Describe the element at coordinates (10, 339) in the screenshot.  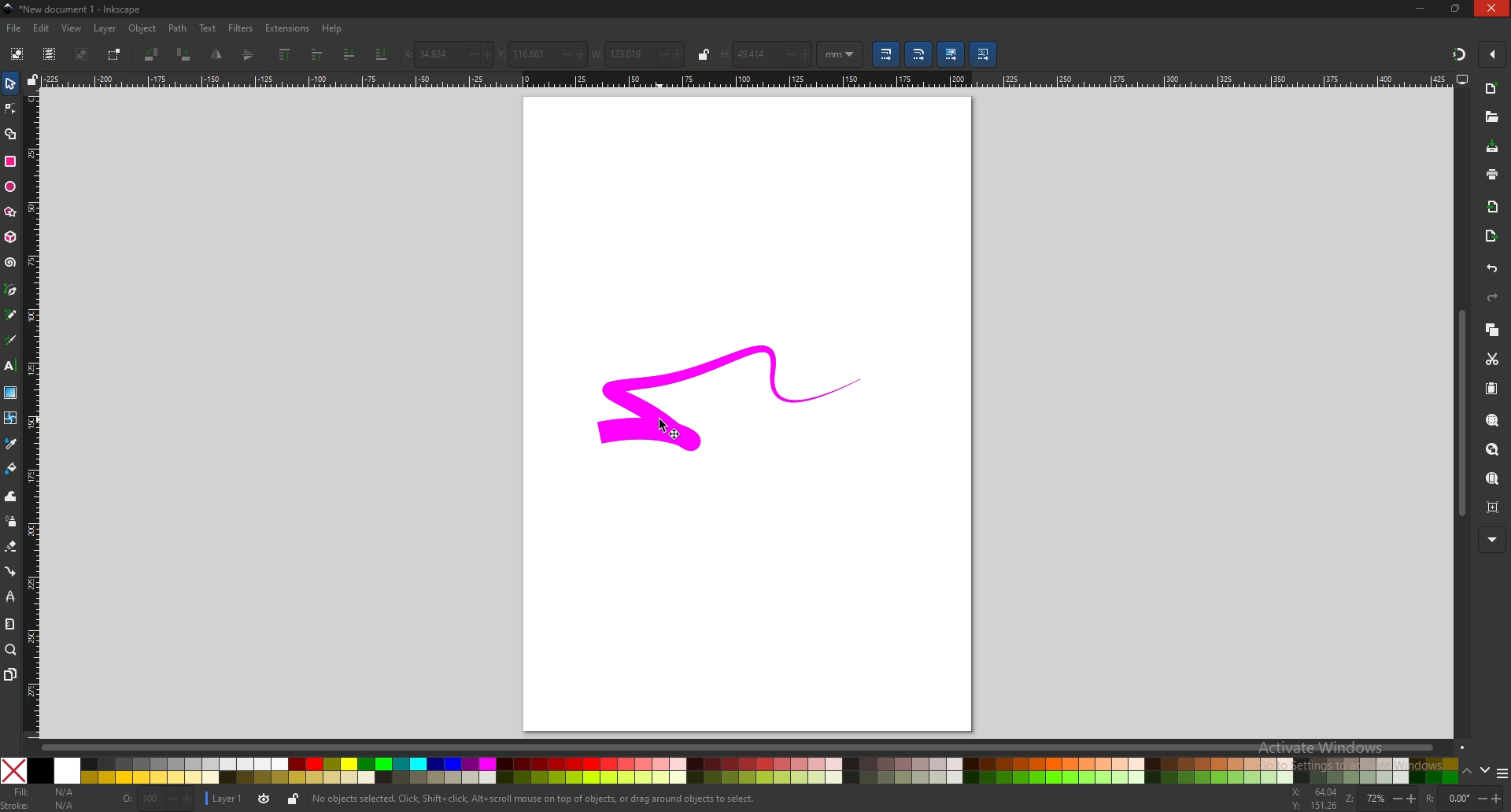
I see `calligraphy` at that location.